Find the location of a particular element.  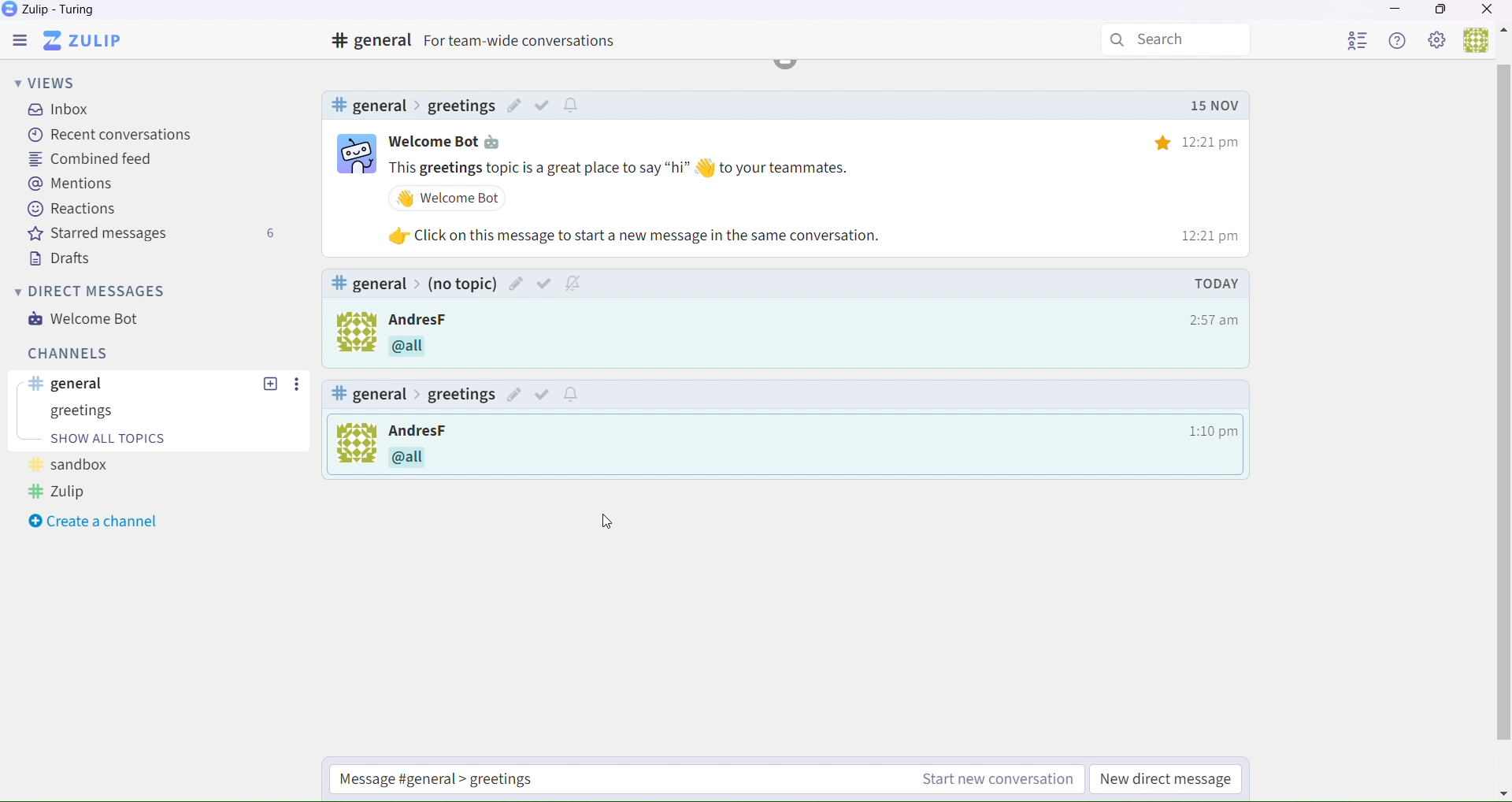

Mentions is located at coordinates (72, 185).